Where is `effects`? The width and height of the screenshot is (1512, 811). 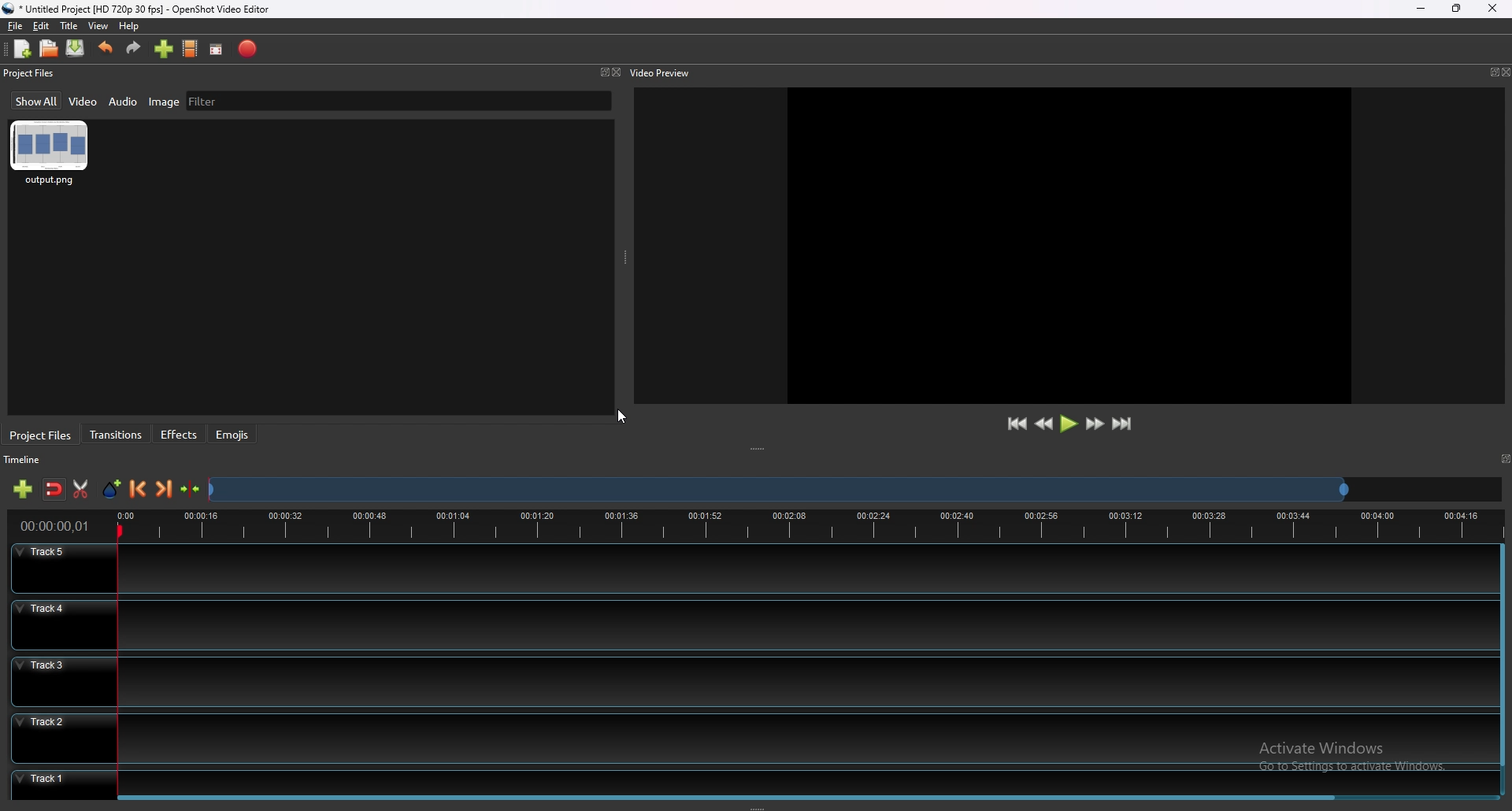
effects is located at coordinates (180, 435).